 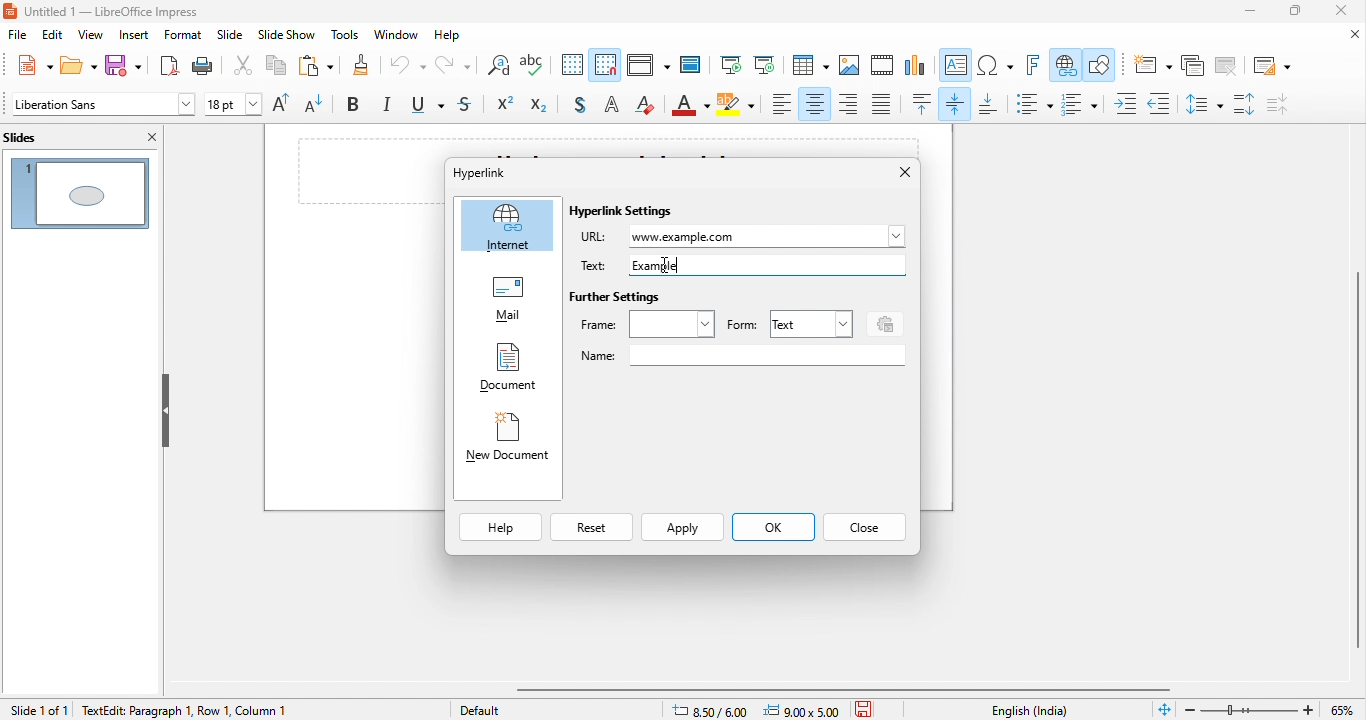 I want to click on duplicate slide, so click(x=1193, y=66).